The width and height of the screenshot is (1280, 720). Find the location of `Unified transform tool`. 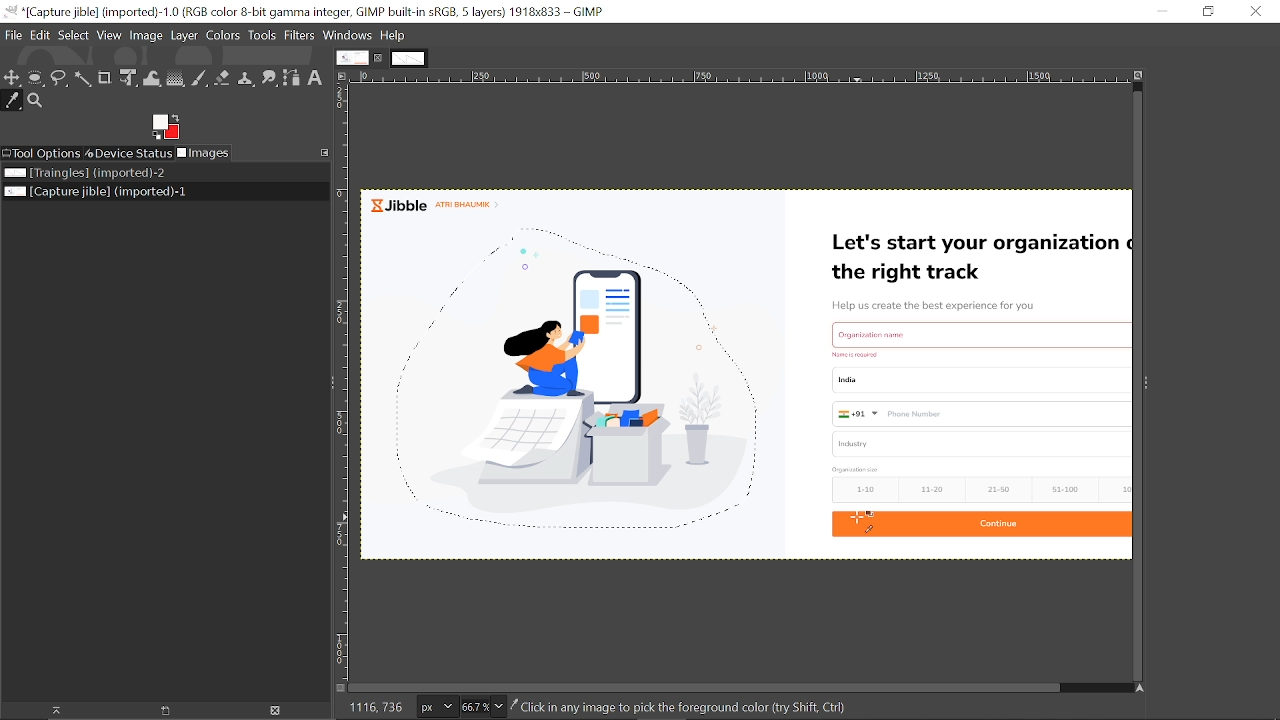

Unified transform tool is located at coordinates (127, 78).